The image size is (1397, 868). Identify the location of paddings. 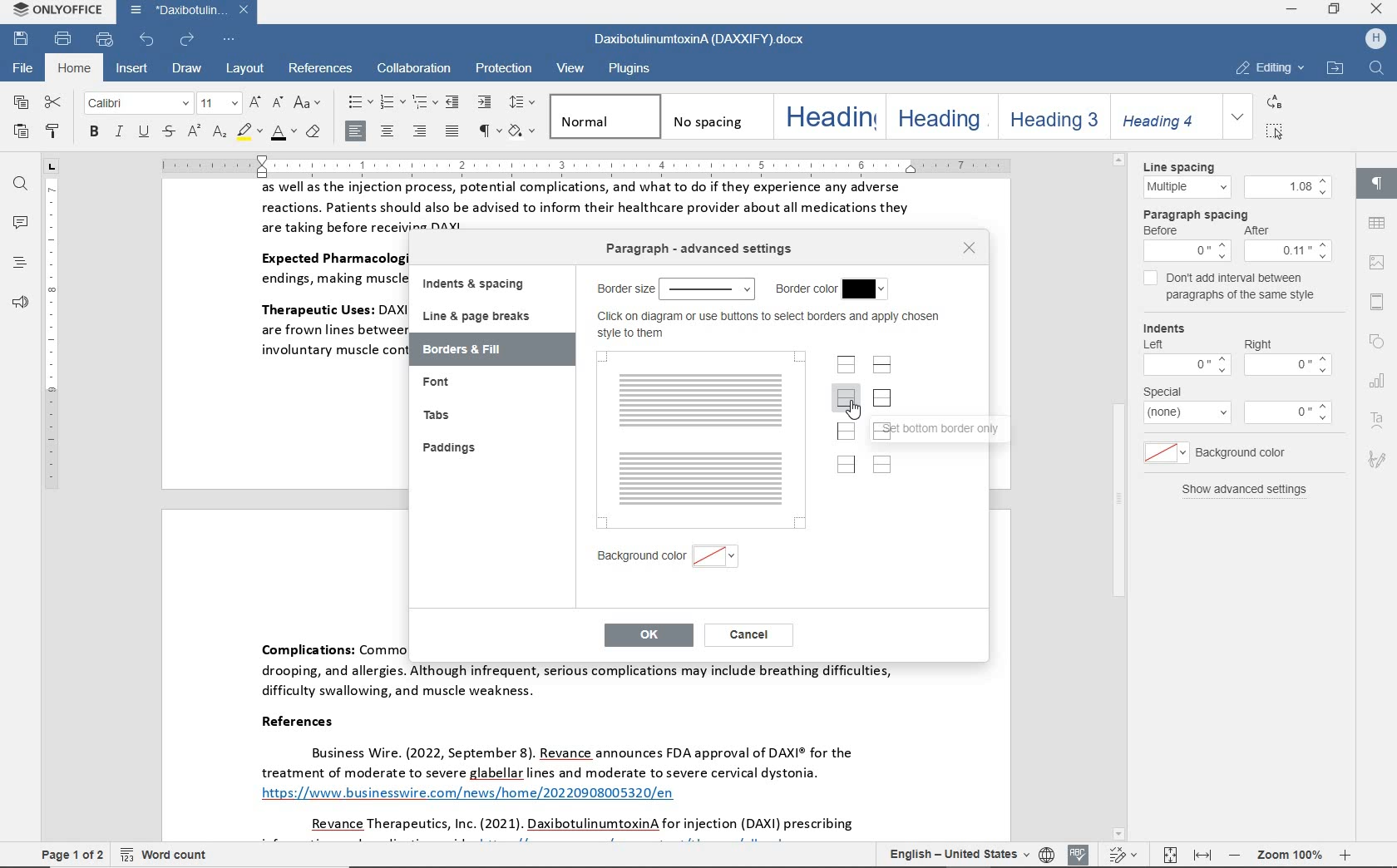
(452, 450).